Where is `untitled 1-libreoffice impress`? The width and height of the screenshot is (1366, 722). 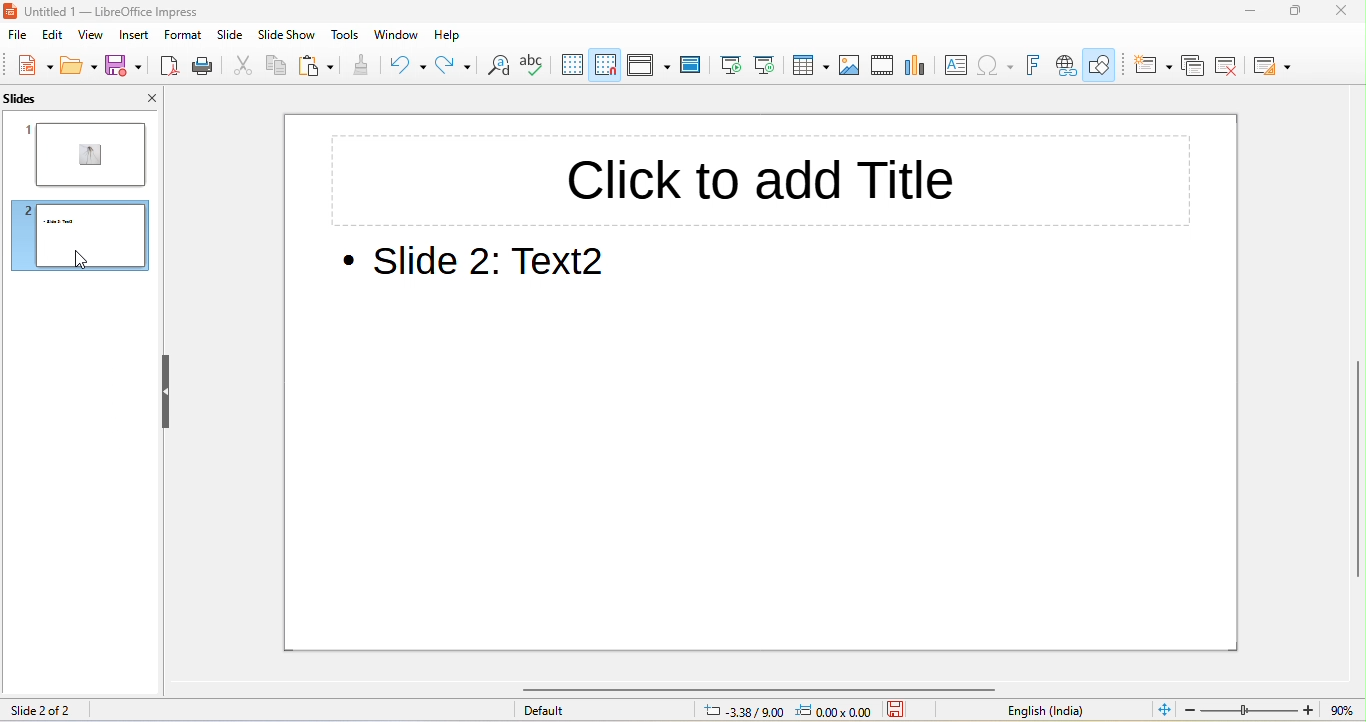 untitled 1-libreoffice impress is located at coordinates (155, 12).